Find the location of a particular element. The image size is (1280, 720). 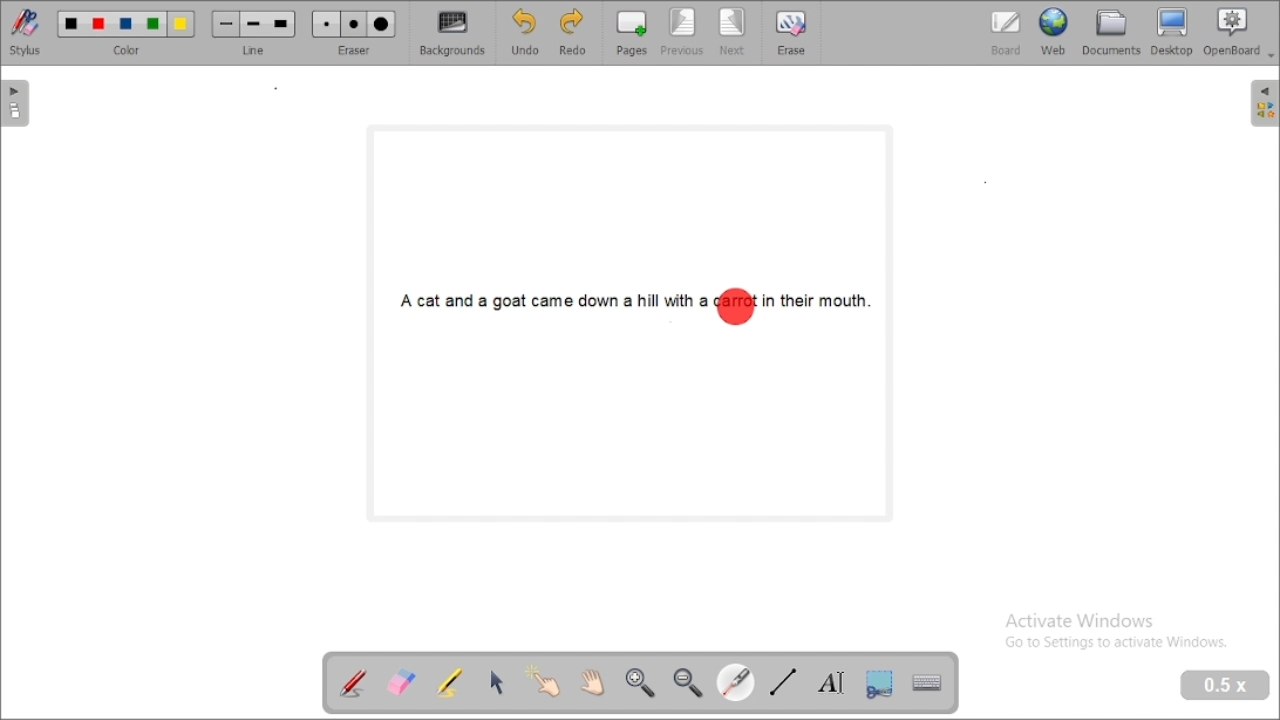

backgrounds is located at coordinates (454, 33).